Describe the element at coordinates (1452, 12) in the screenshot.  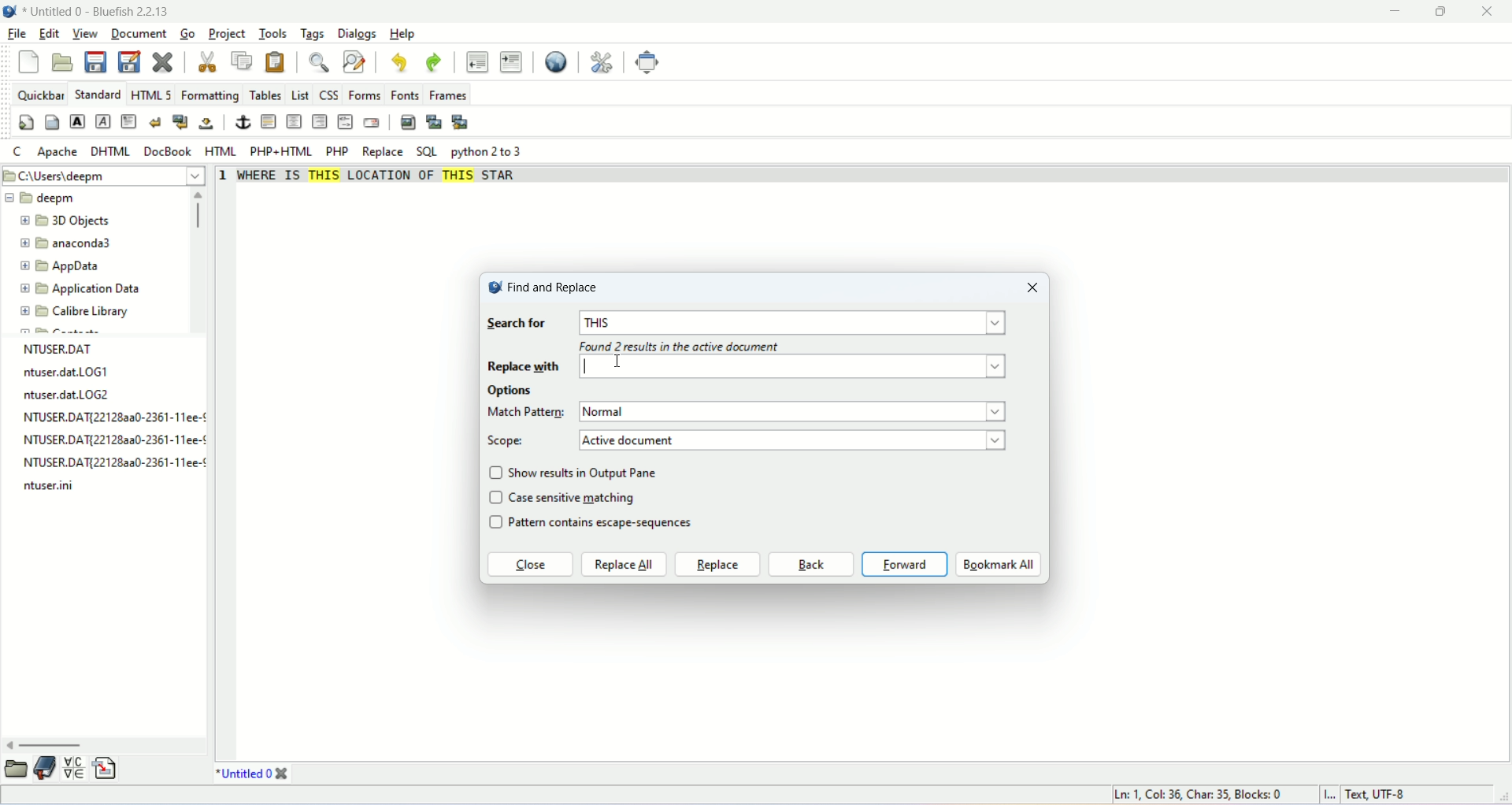
I see `maximize` at that location.